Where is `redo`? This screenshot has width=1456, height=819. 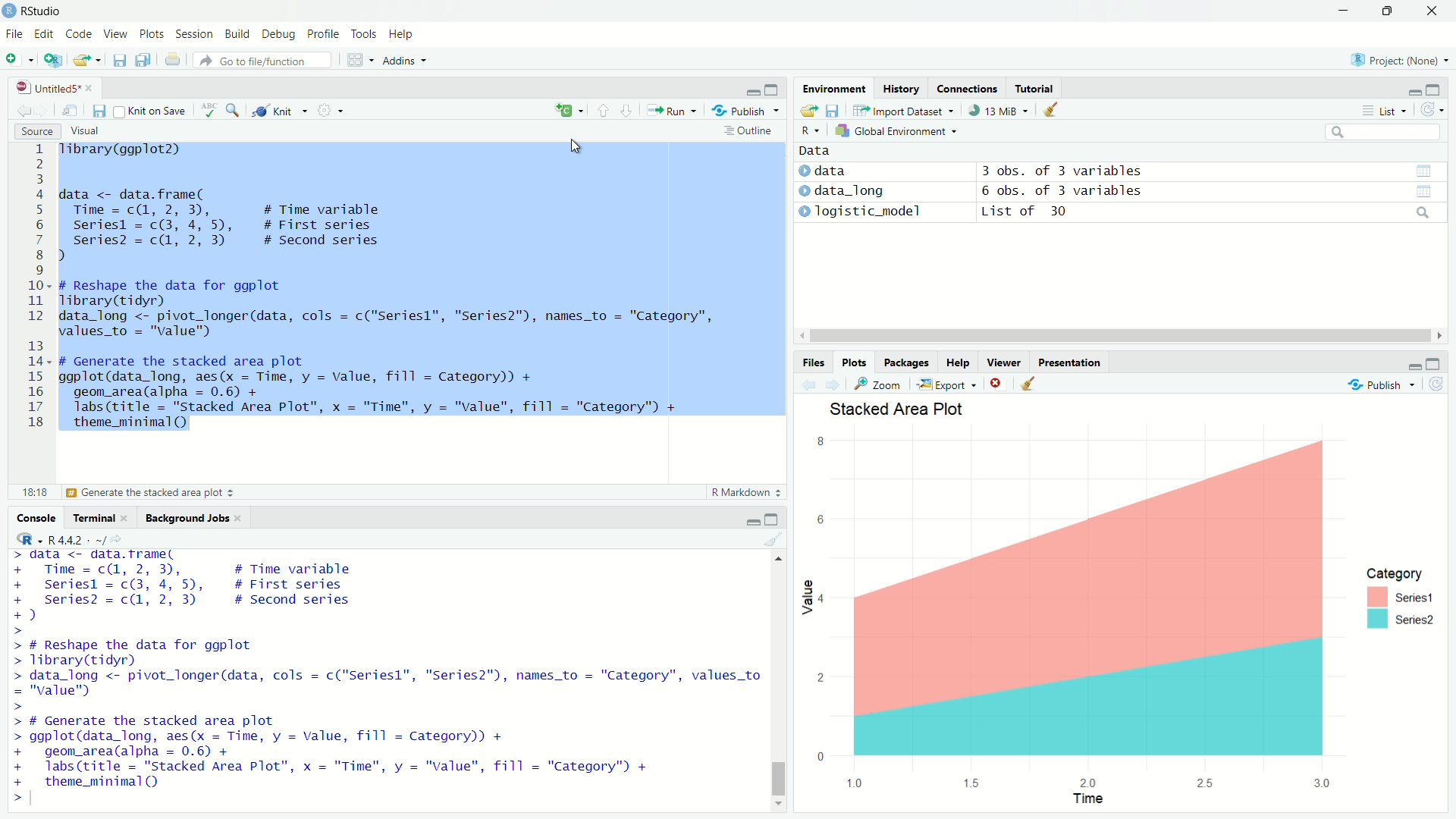
redo is located at coordinates (207, 61).